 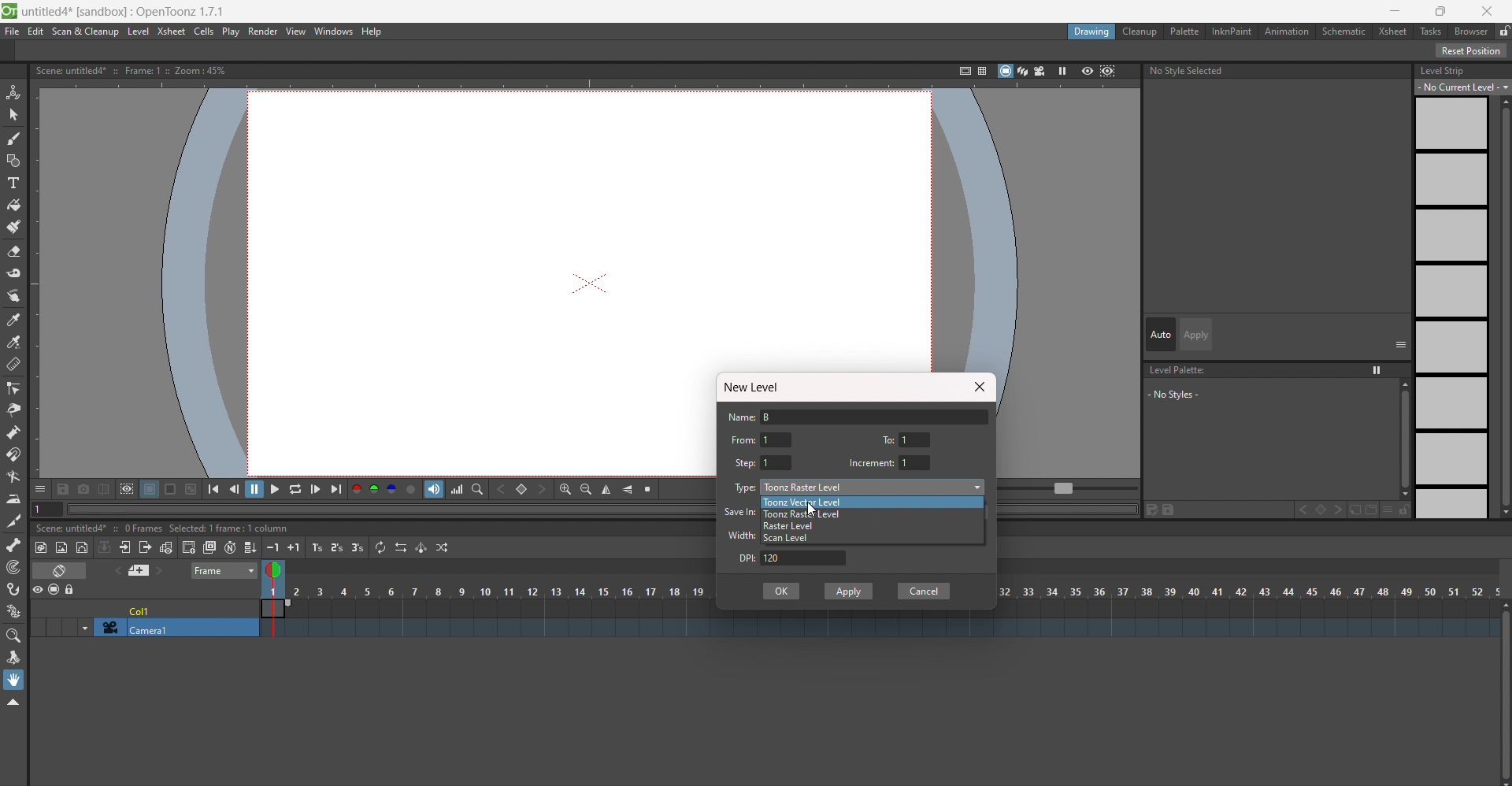 What do you see at coordinates (36, 32) in the screenshot?
I see `edit` at bounding box center [36, 32].